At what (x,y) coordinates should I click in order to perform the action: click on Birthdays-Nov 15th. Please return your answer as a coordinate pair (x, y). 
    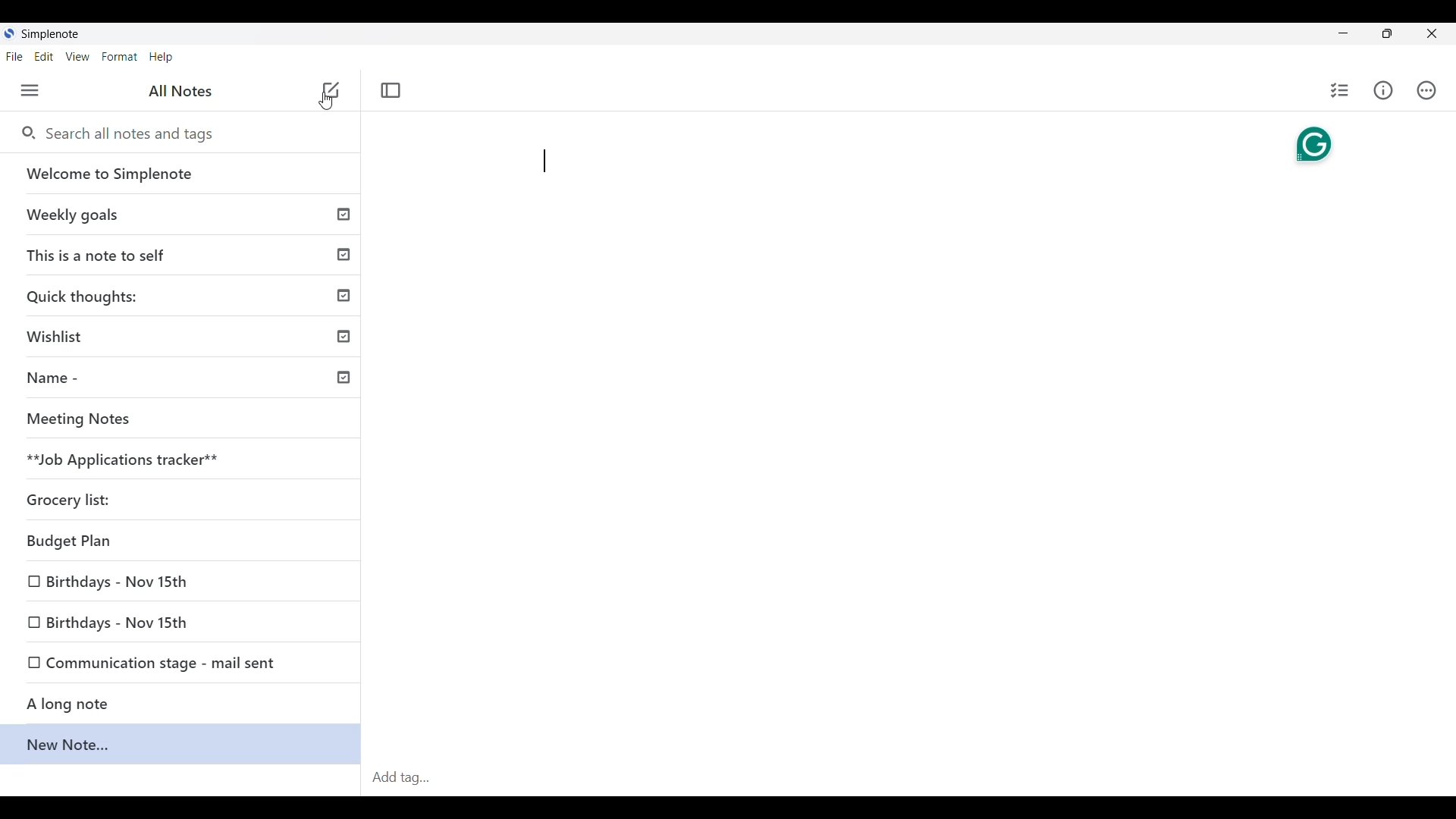
    Looking at the image, I should click on (123, 626).